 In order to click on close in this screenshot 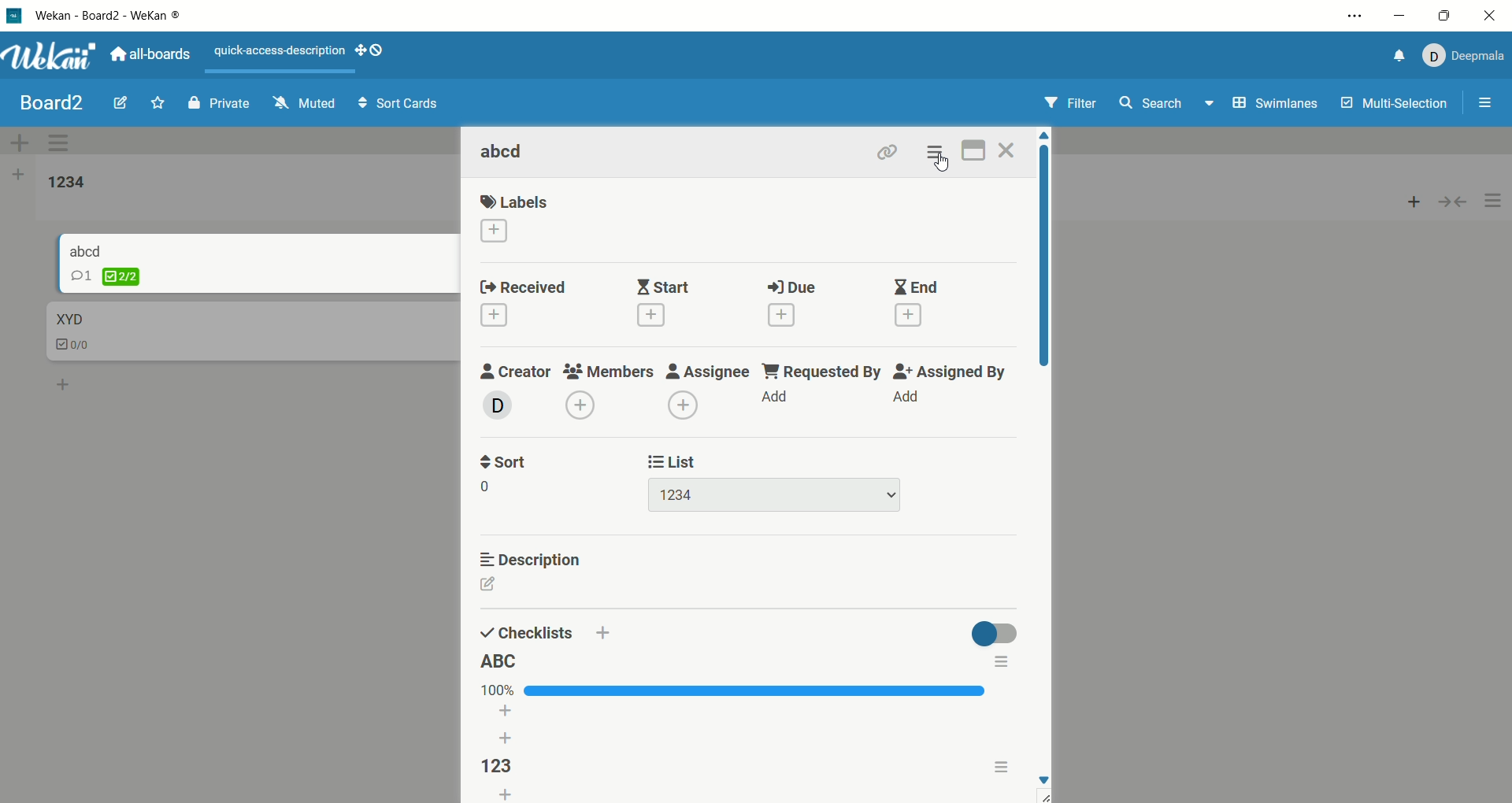, I will do `click(1488, 15)`.